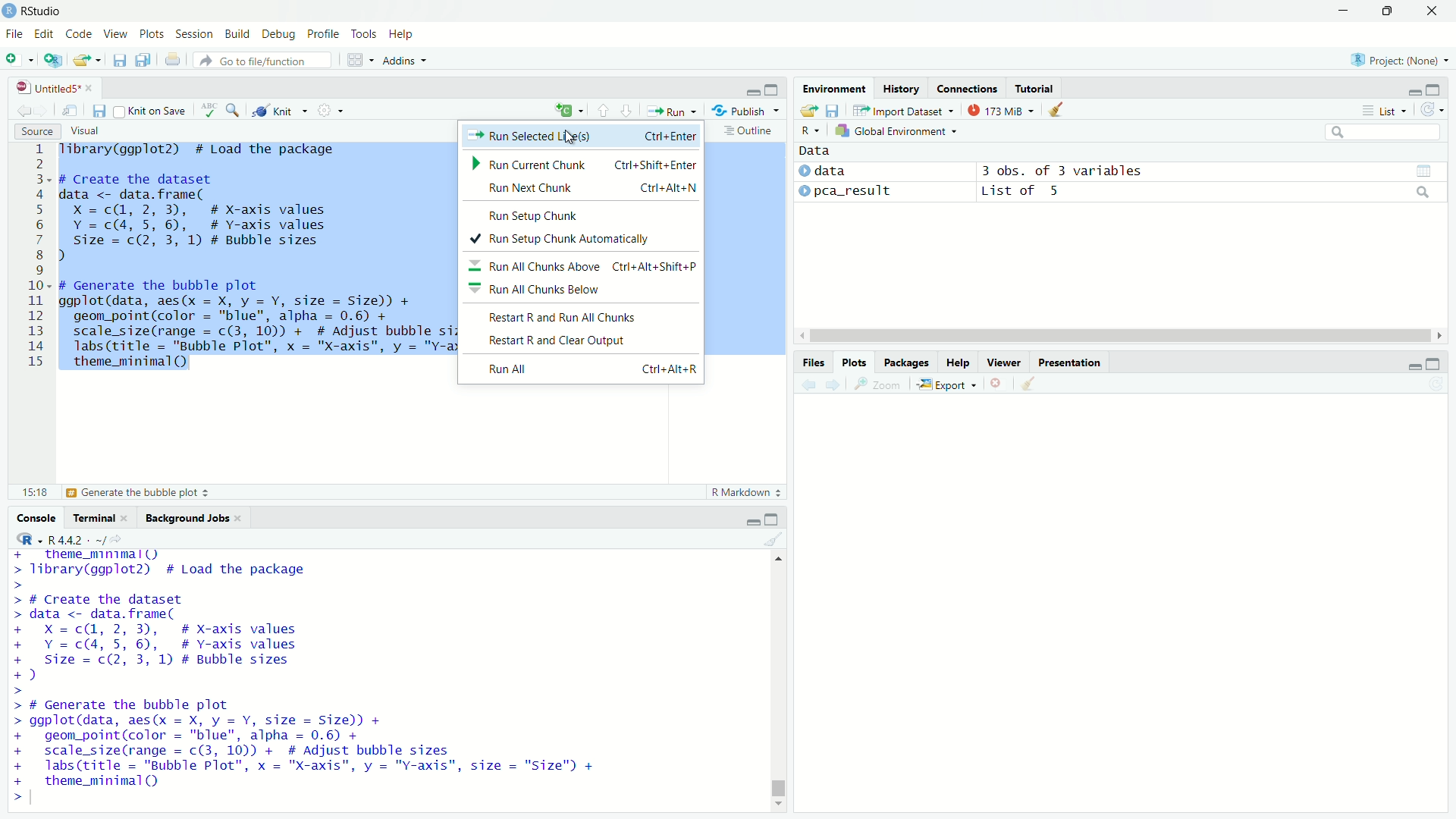  Describe the element at coordinates (671, 109) in the screenshot. I see `Run` at that location.